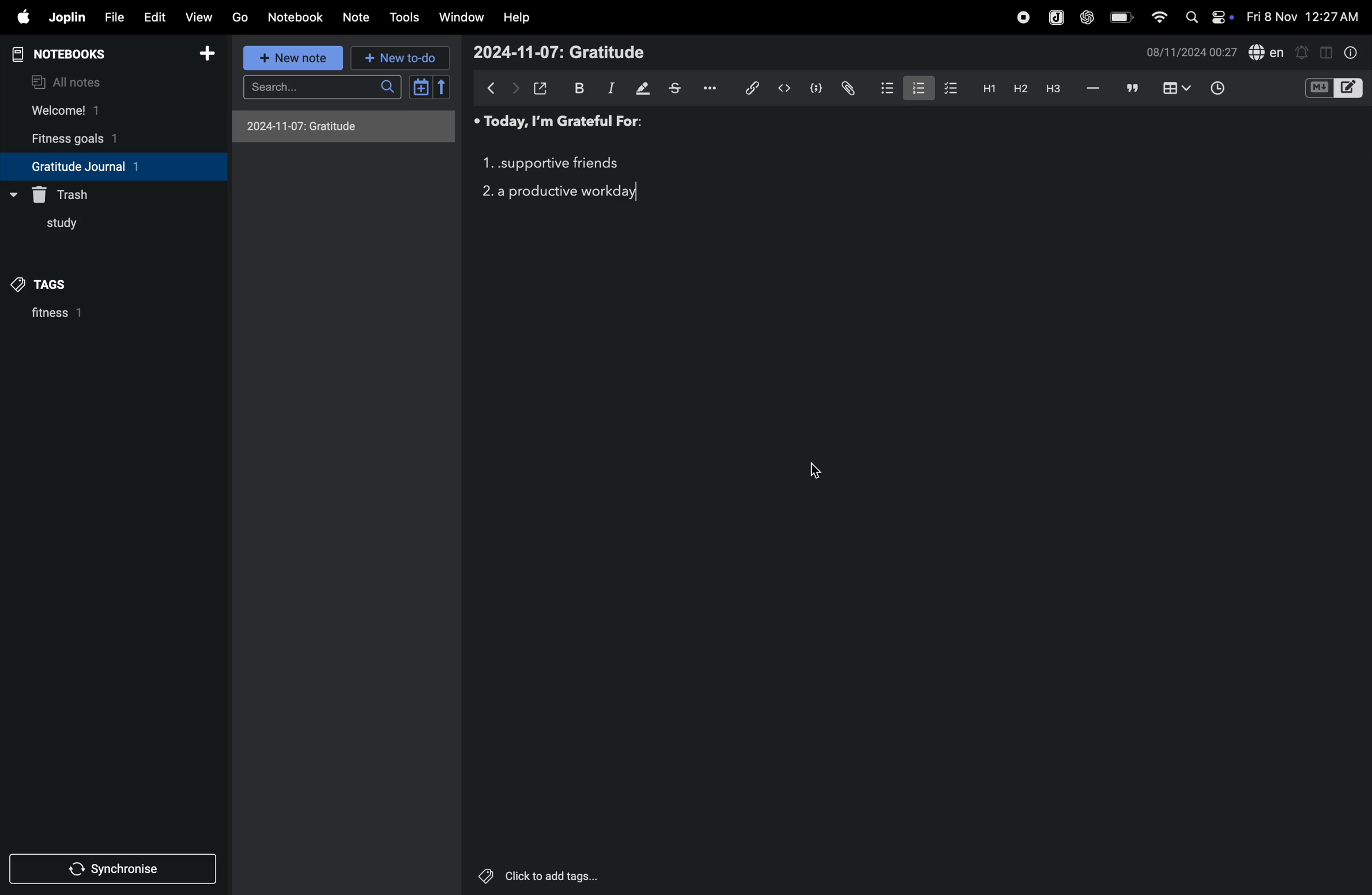 The height and width of the screenshot is (895, 1372). What do you see at coordinates (462, 16) in the screenshot?
I see `window` at bounding box center [462, 16].